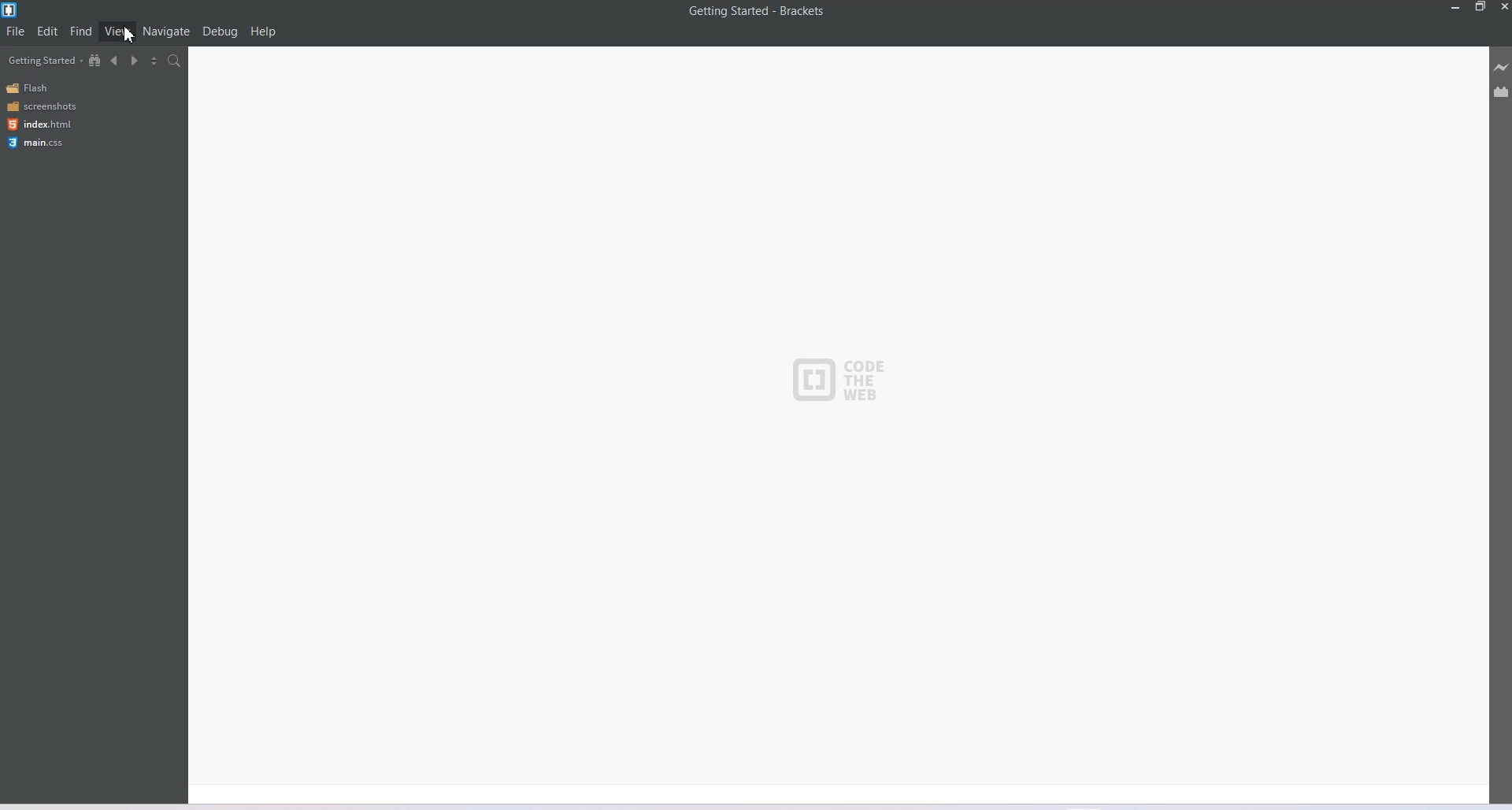 This screenshot has height=810, width=1512. I want to click on Screenshots, so click(41, 106).